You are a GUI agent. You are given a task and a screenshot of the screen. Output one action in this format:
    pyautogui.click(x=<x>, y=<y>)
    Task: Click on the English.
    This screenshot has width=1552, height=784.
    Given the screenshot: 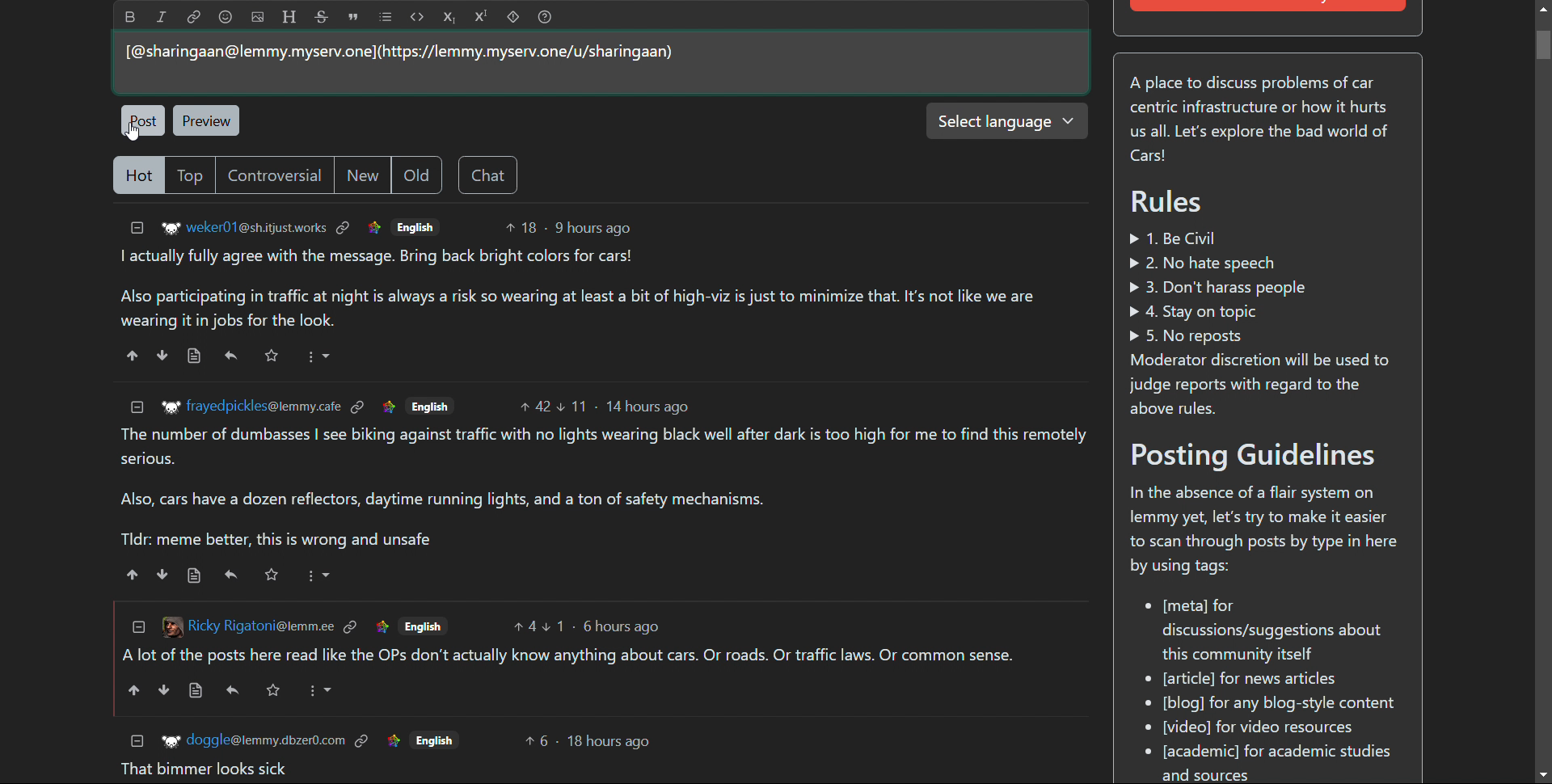 What is the action you would take?
    pyautogui.click(x=423, y=626)
    